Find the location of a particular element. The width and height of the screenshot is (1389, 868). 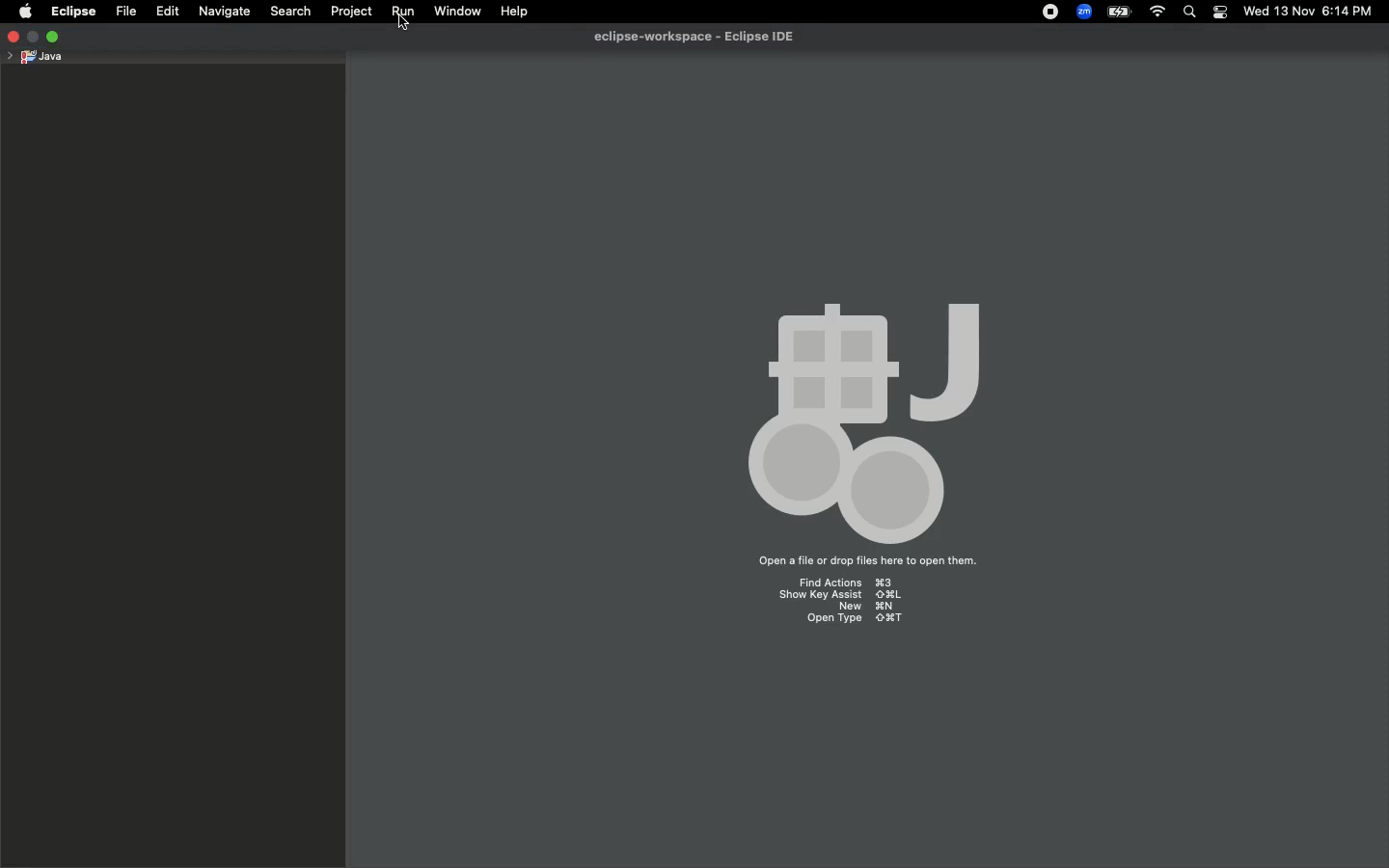

Find Actions ⌘3 is located at coordinates (846, 584).